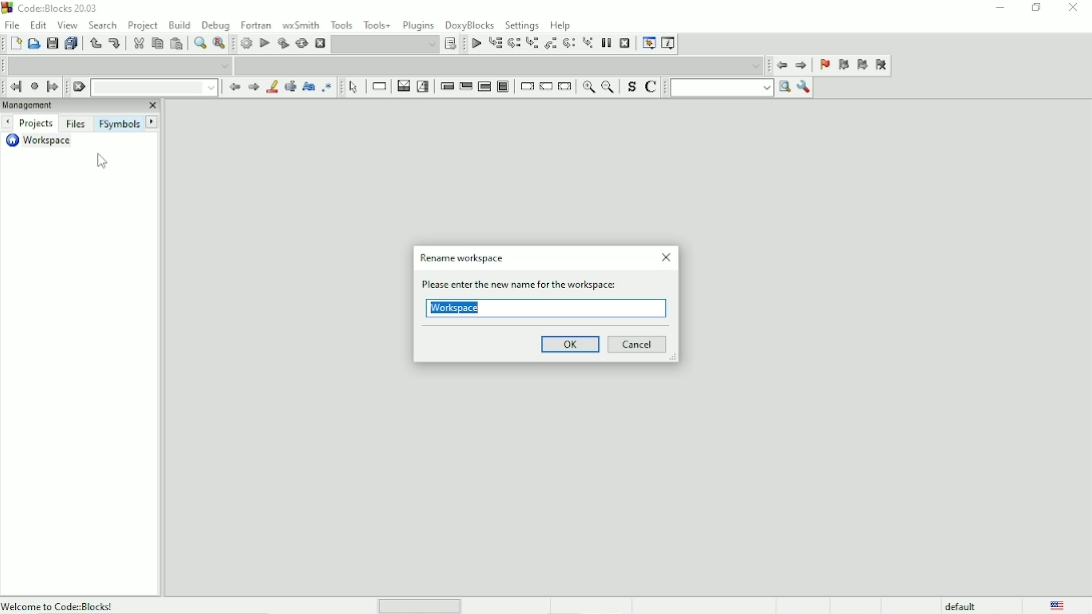 The image size is (1092, 614). What do you see at coordinates (179, 24) in the screenshot?
I see `Build` at bounding box center [179, 24].